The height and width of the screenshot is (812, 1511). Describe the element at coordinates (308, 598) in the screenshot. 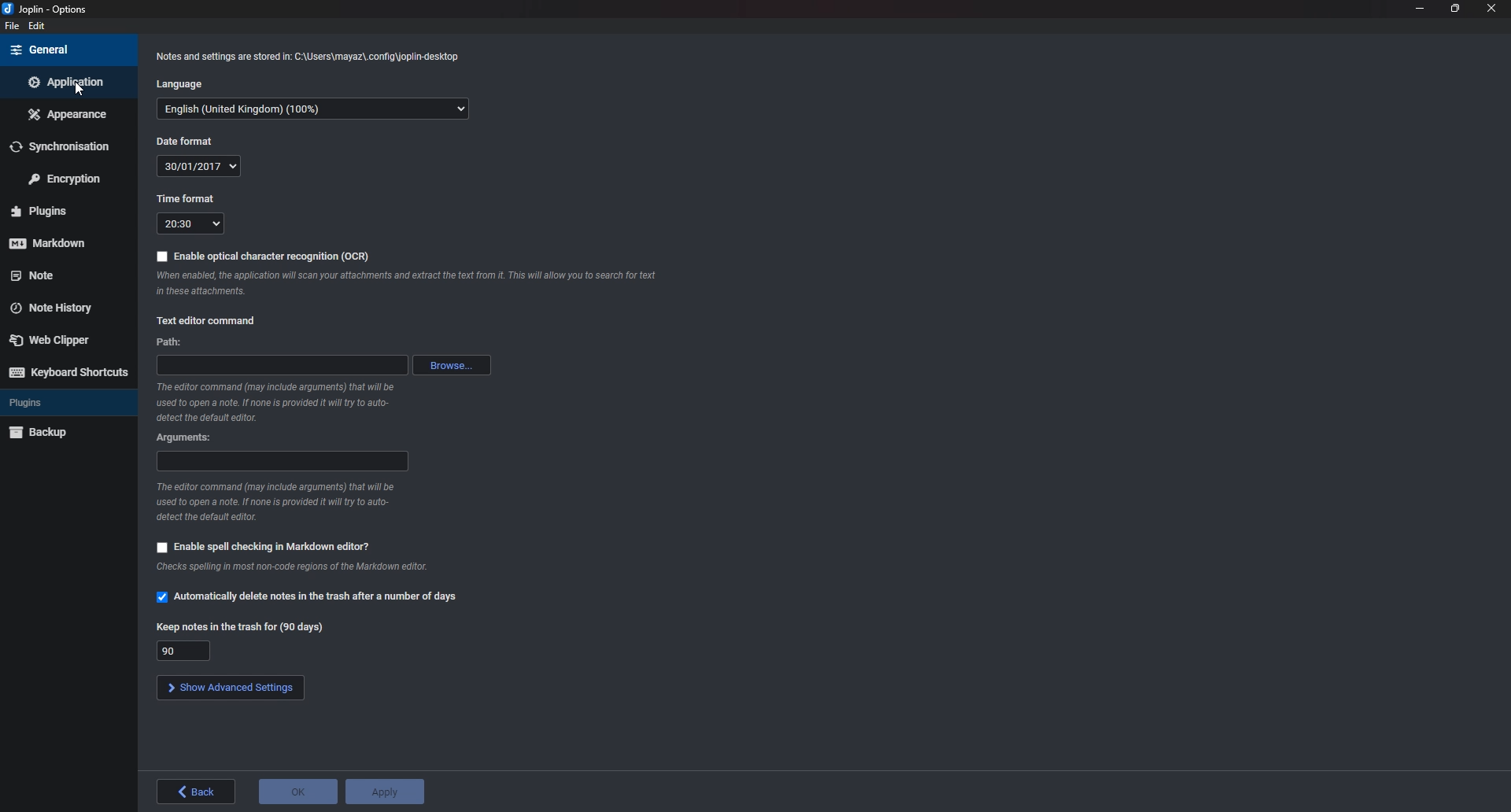

I see `Automatically delete notes` at that location.